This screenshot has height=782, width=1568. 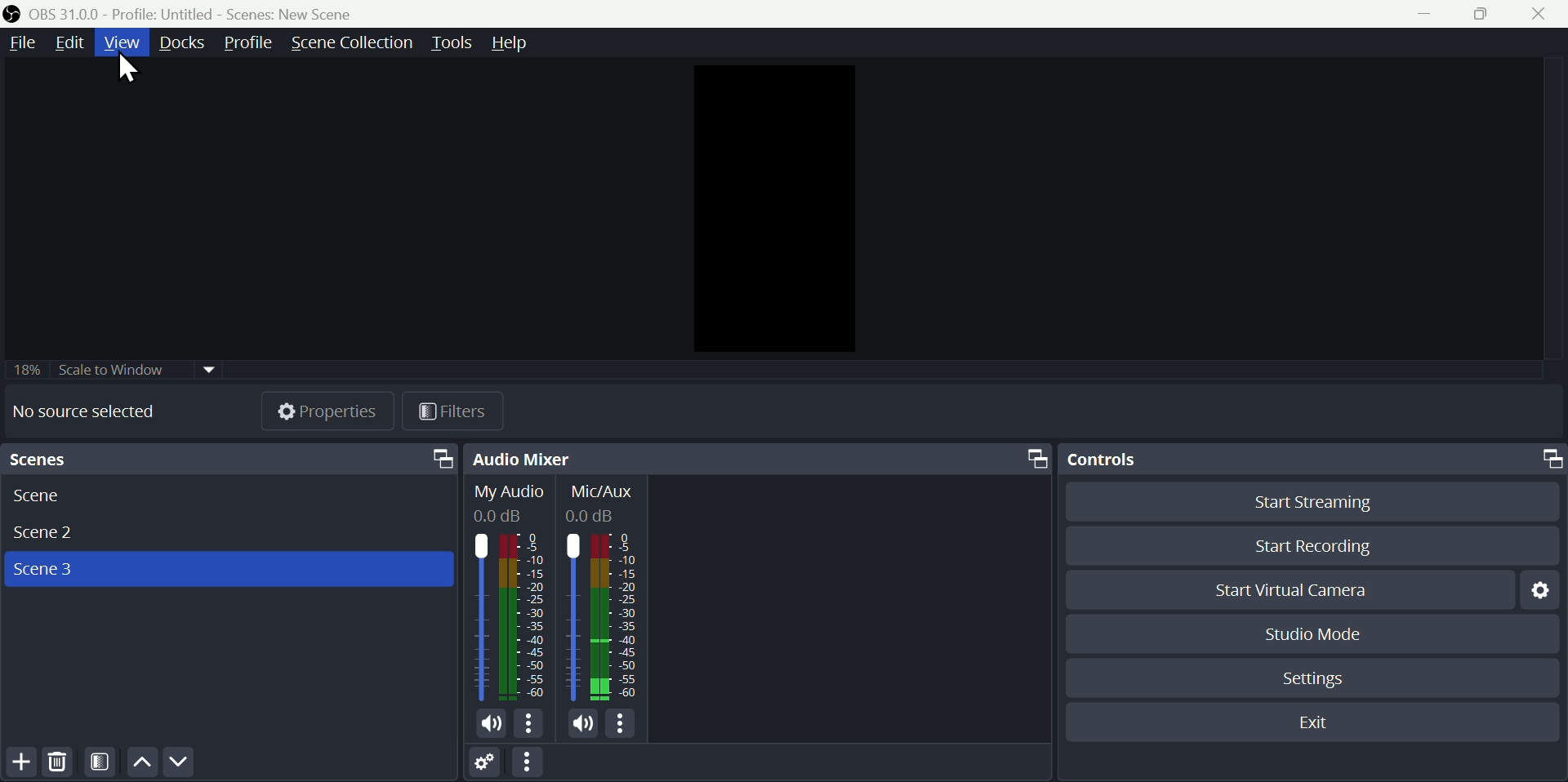 I want to click on File, so click(x=20, y=43).